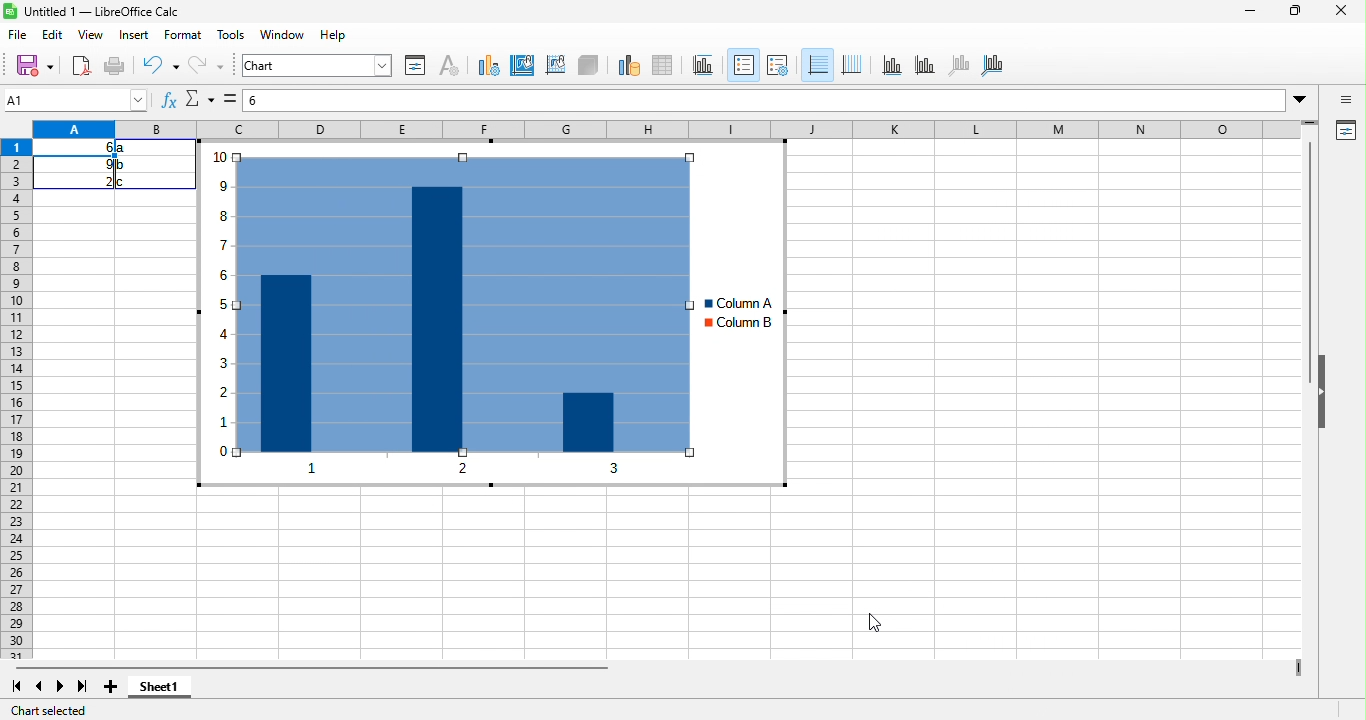  I want to click on c, so click(124, 182).